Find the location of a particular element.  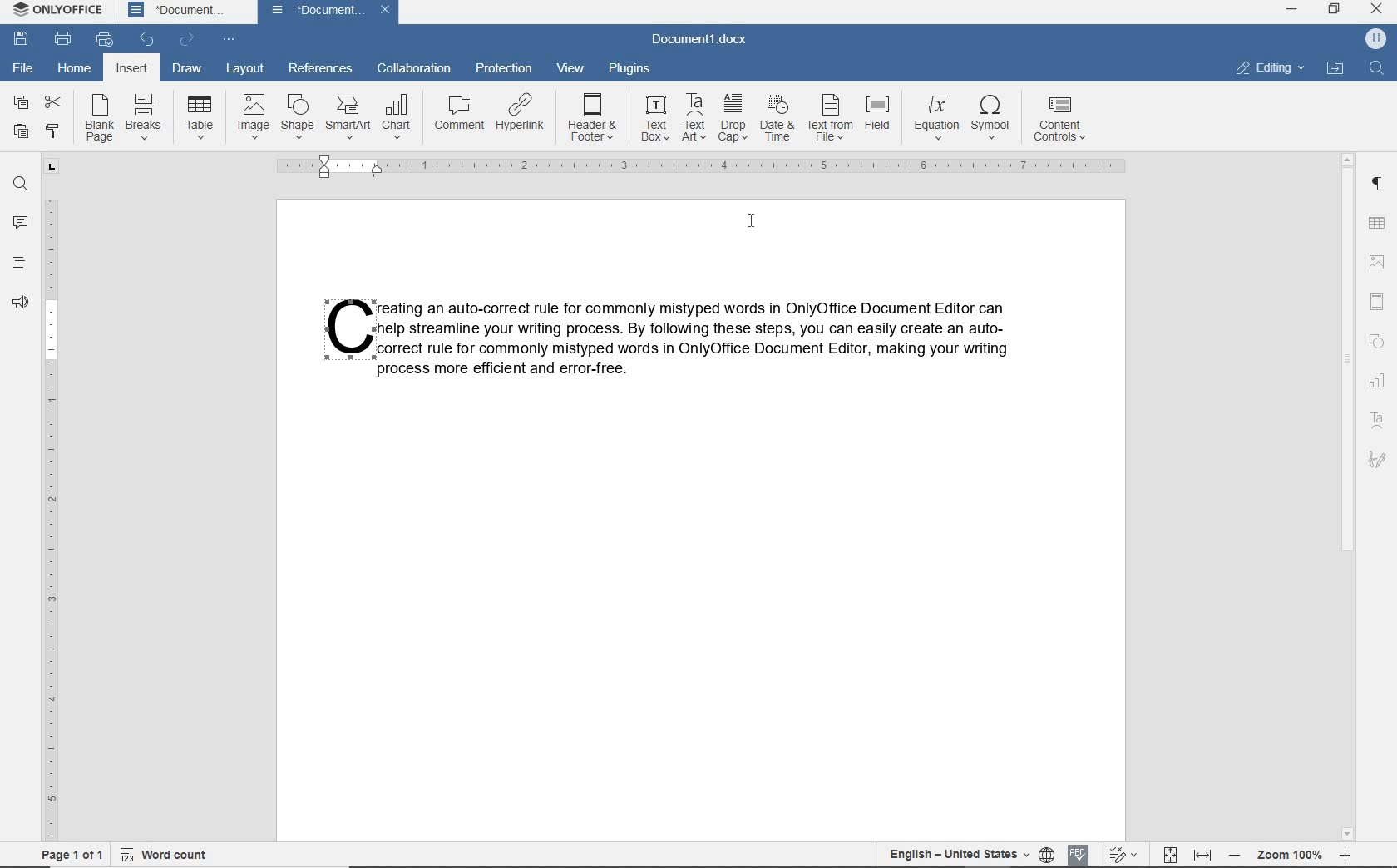

scrollbar is located at coordinates (1350, 496).